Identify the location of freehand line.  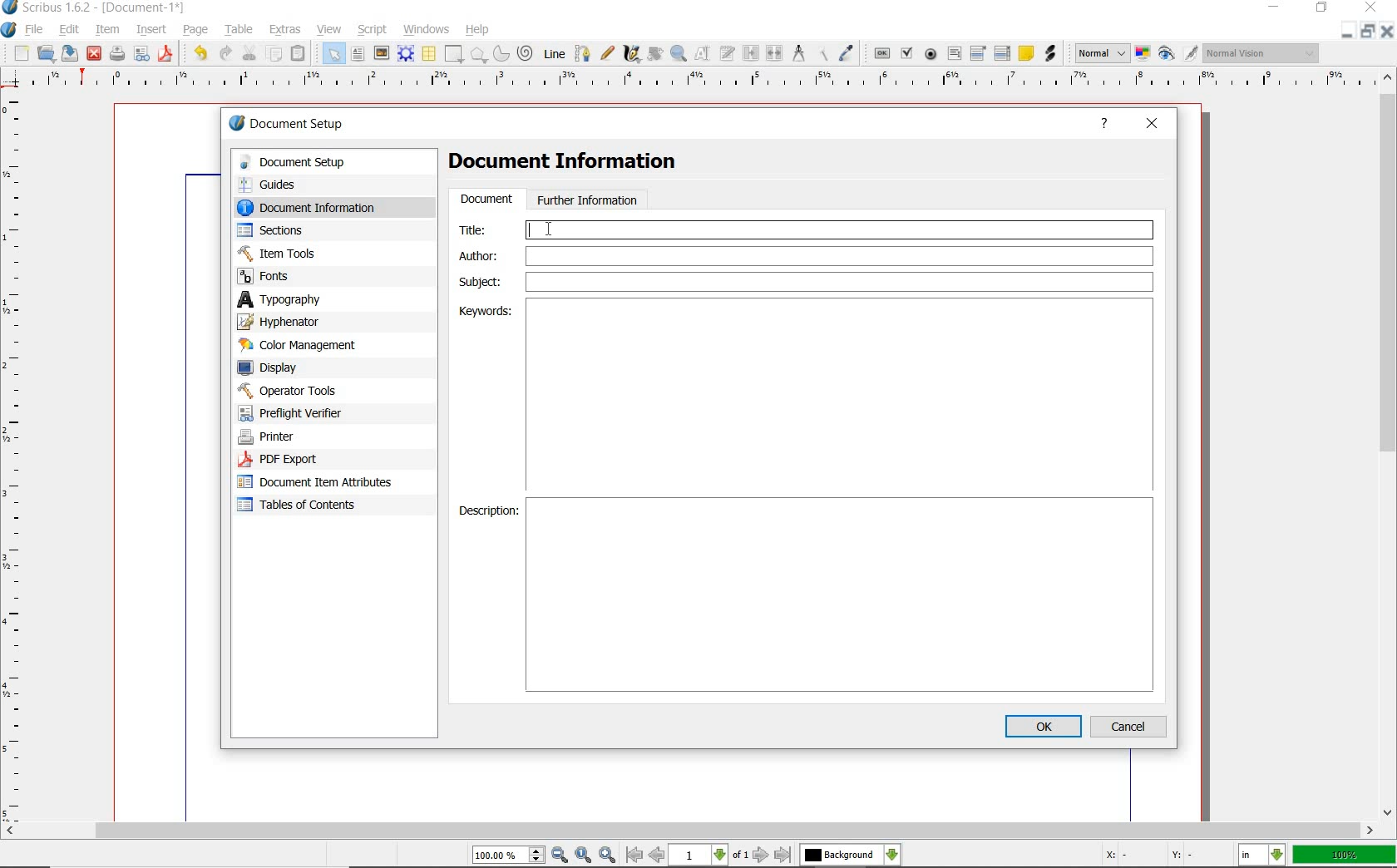
(606, 52).